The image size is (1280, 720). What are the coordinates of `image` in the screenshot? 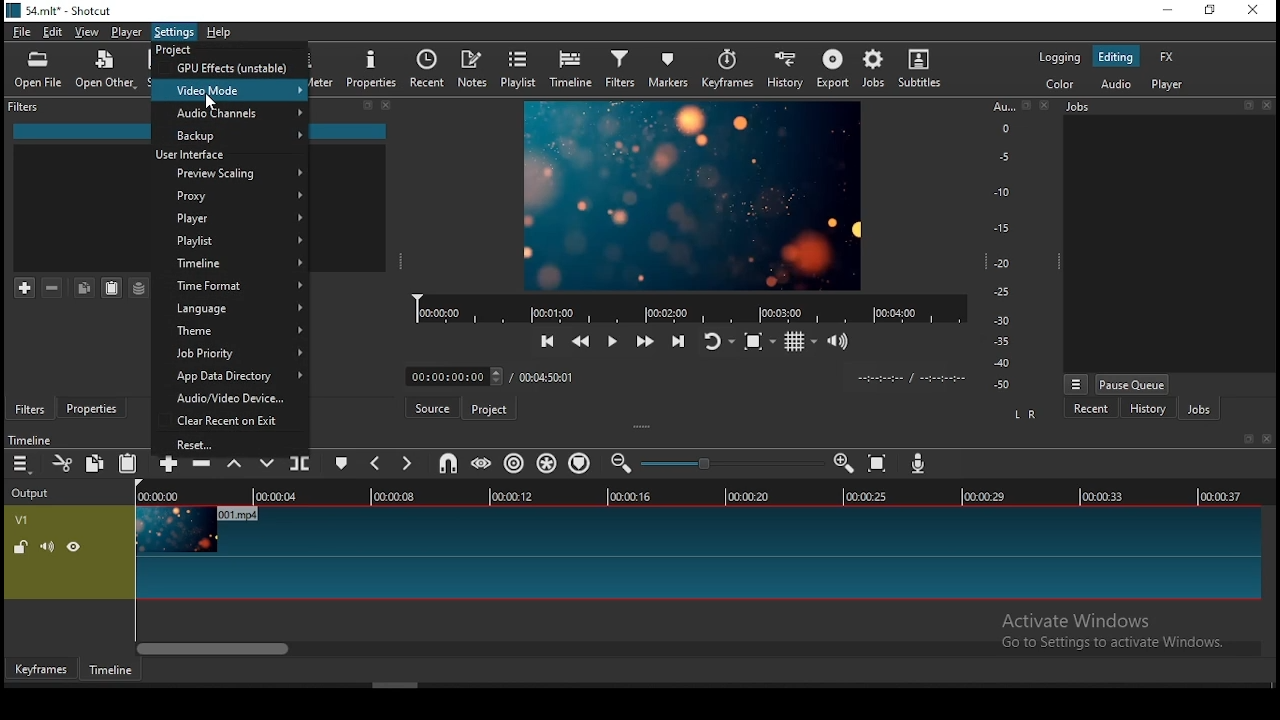 It's located at (689, 195).